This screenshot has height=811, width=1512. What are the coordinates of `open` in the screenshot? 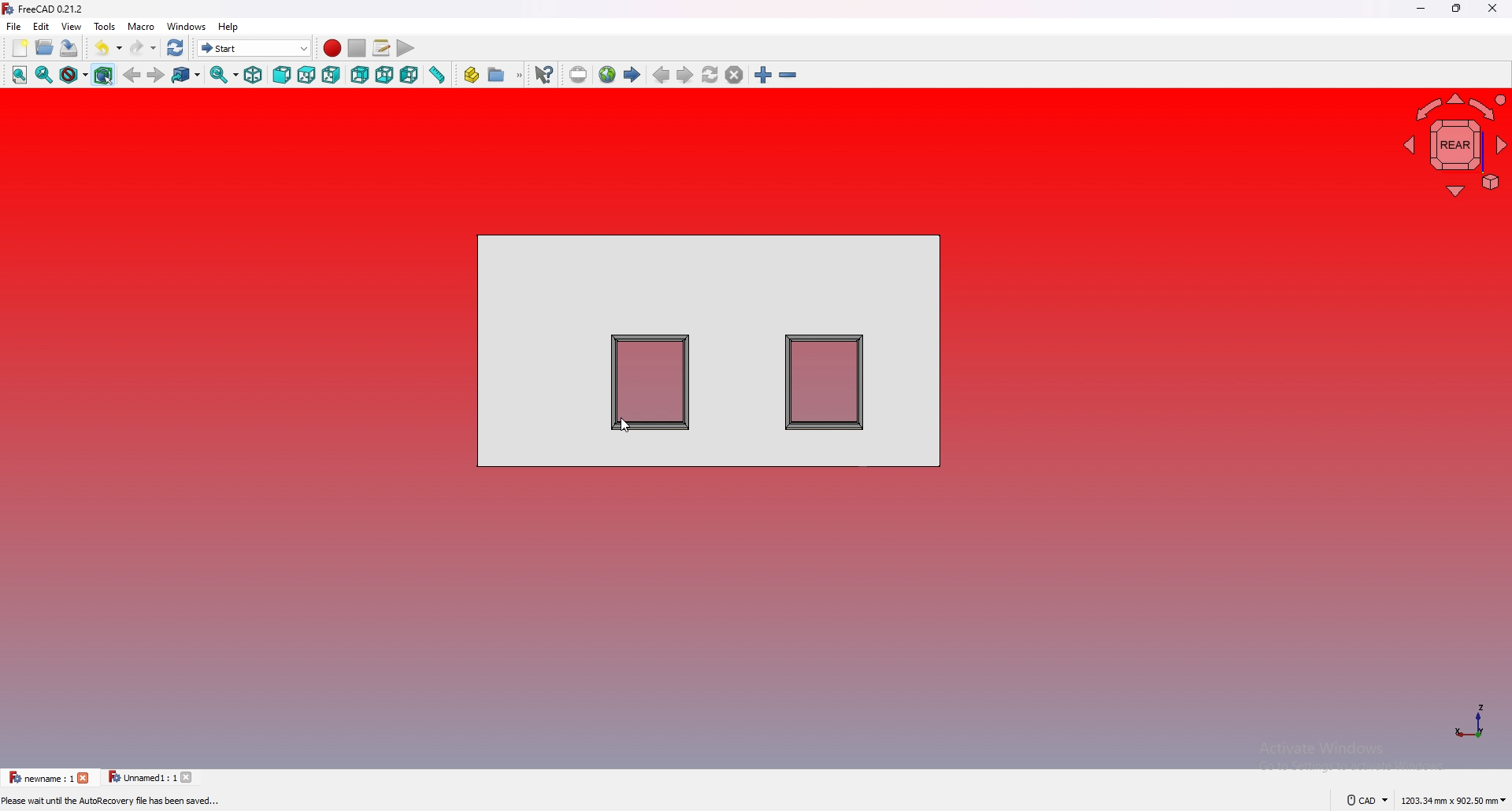 It's located at (45, 47).